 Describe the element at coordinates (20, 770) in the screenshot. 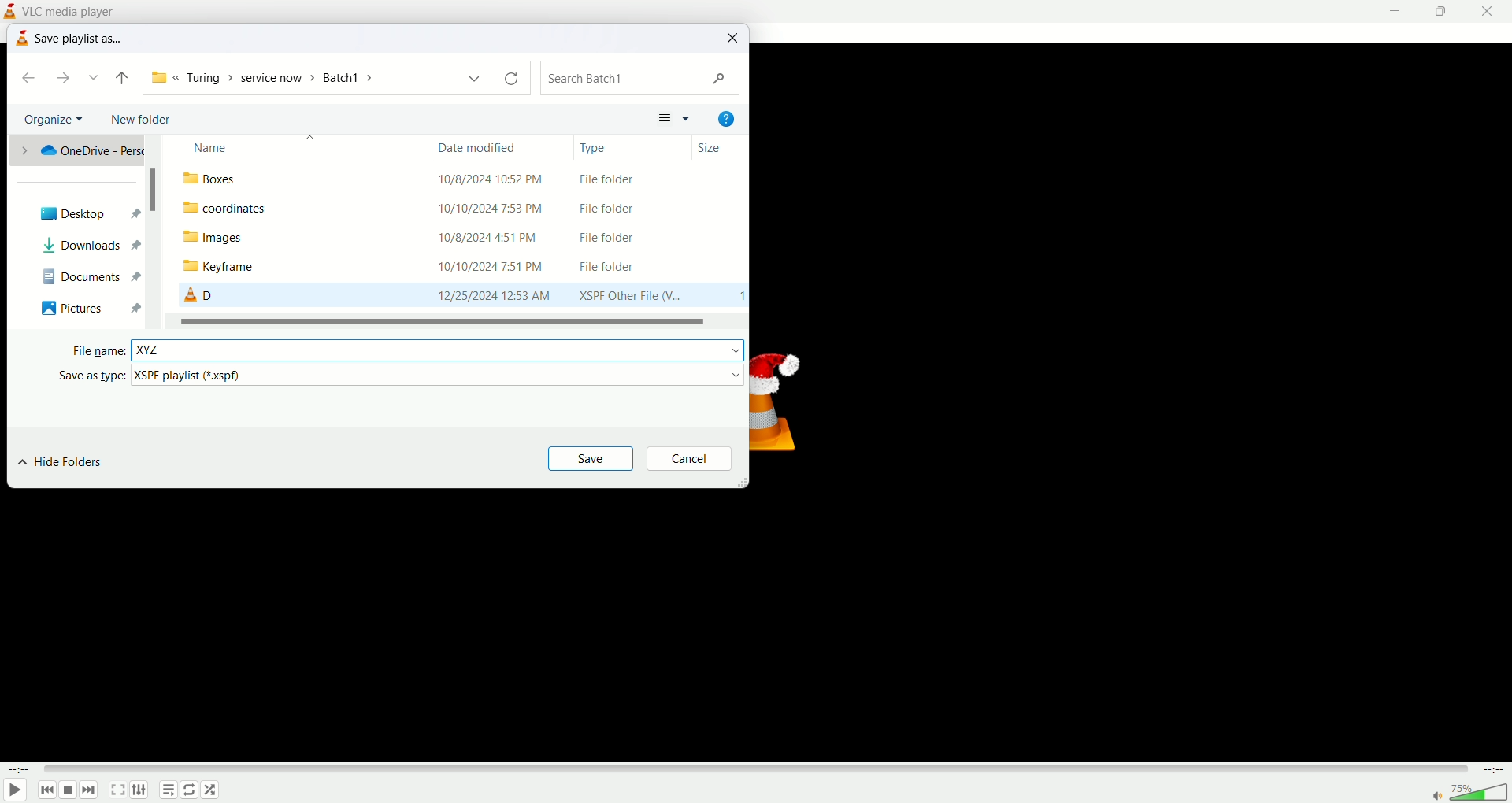

I see `elapsed time` at that location.